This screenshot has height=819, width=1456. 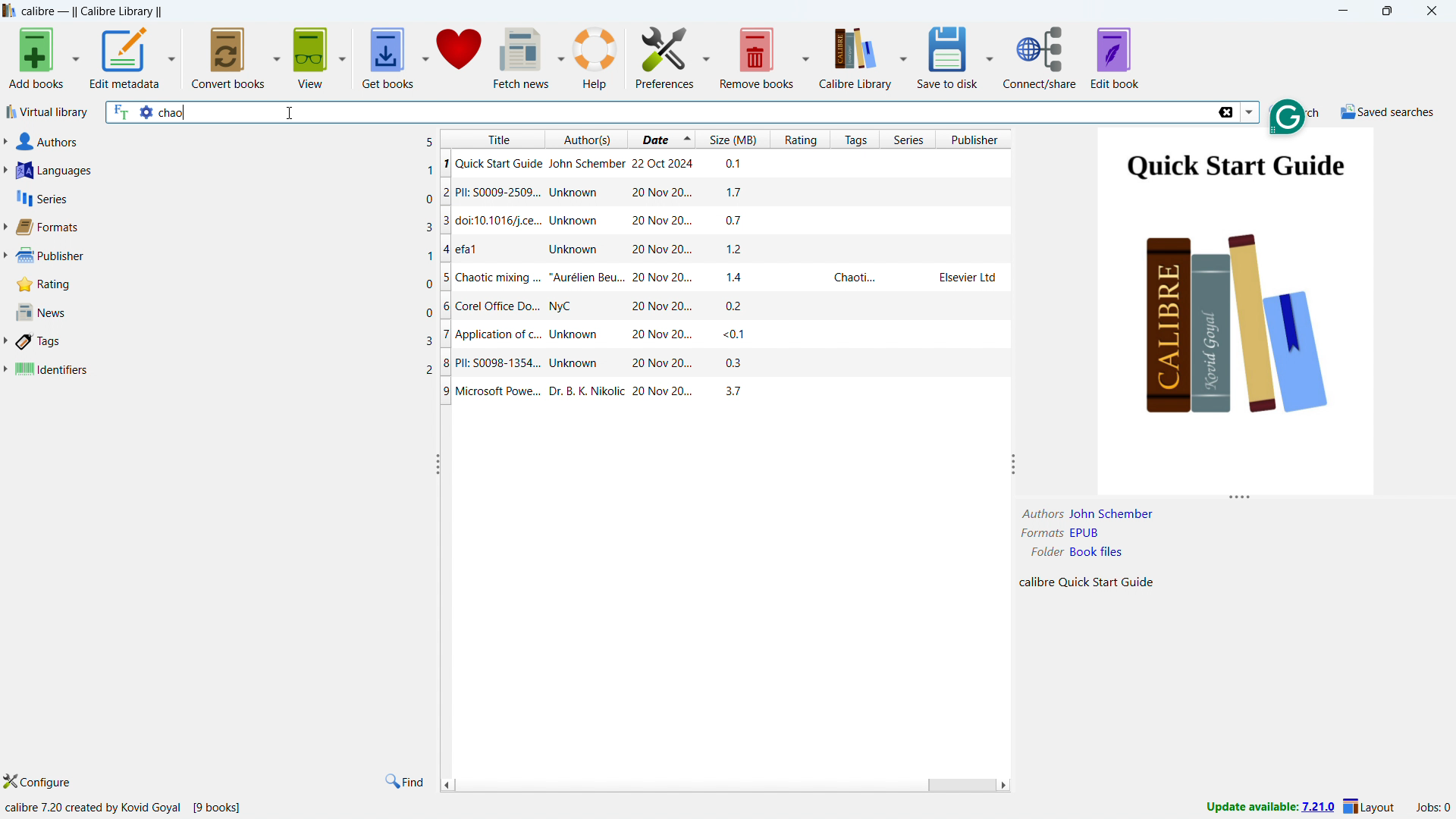 I want to click on [9 books], so click(x=223, y=807).